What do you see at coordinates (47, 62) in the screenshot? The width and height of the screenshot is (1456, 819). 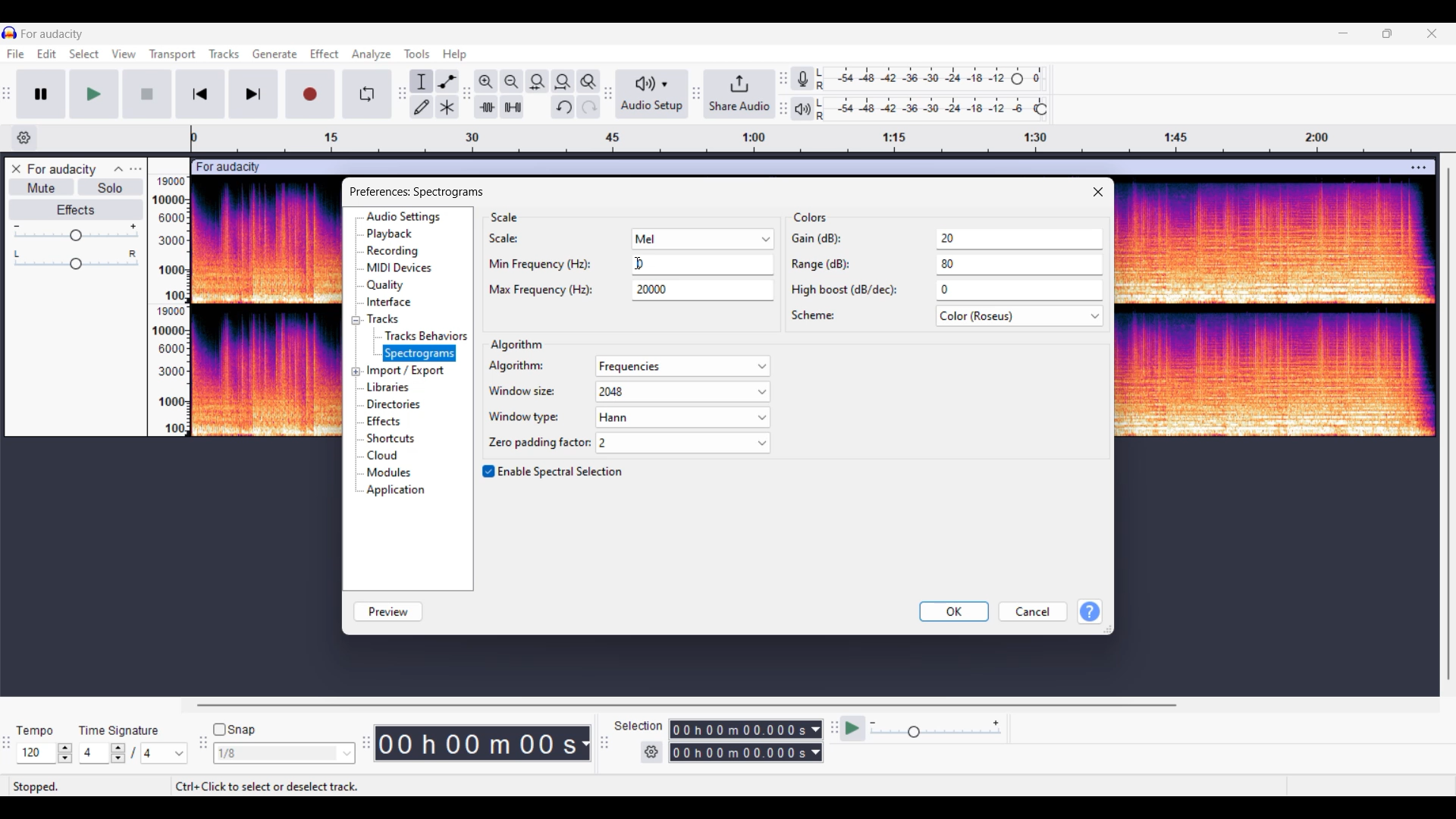 I see `Cursor clicking in Edit menu` at bounding box center [47, 62].